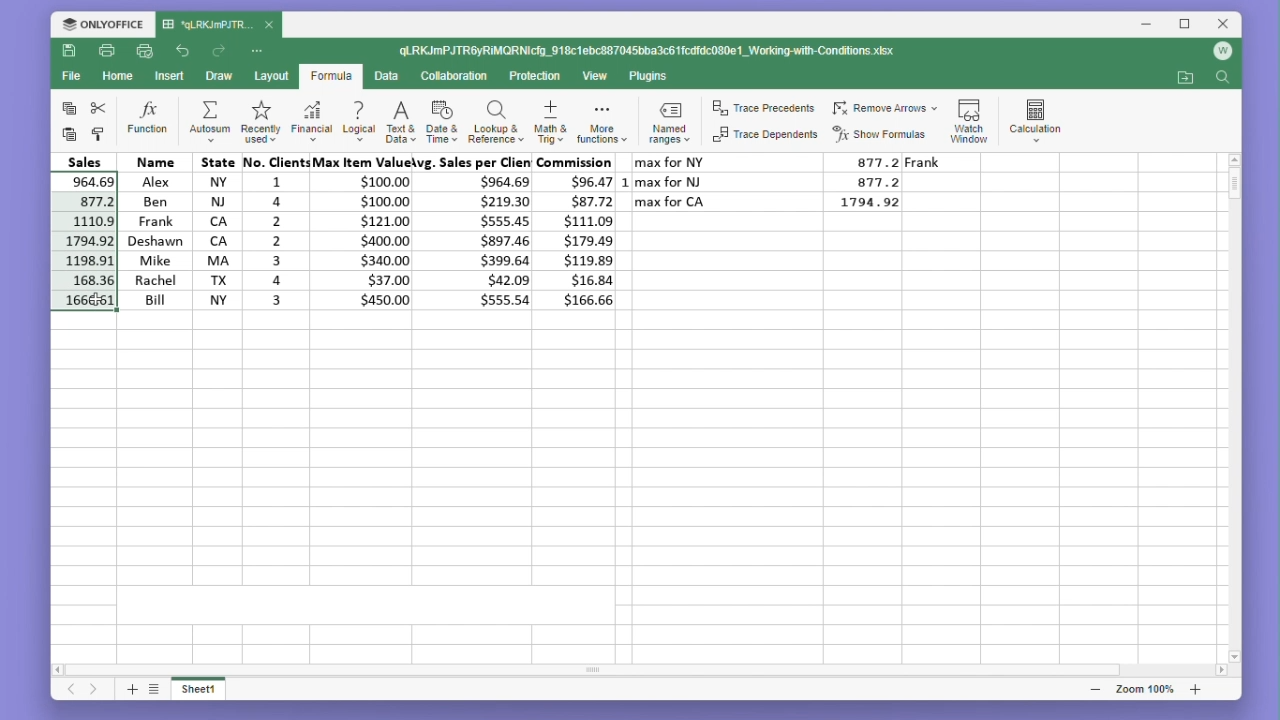 The image size is (1280, 720). What do you see at coordinates (184, 52) in the screenshot?
I see `undo` at bounding box center [184, 52].